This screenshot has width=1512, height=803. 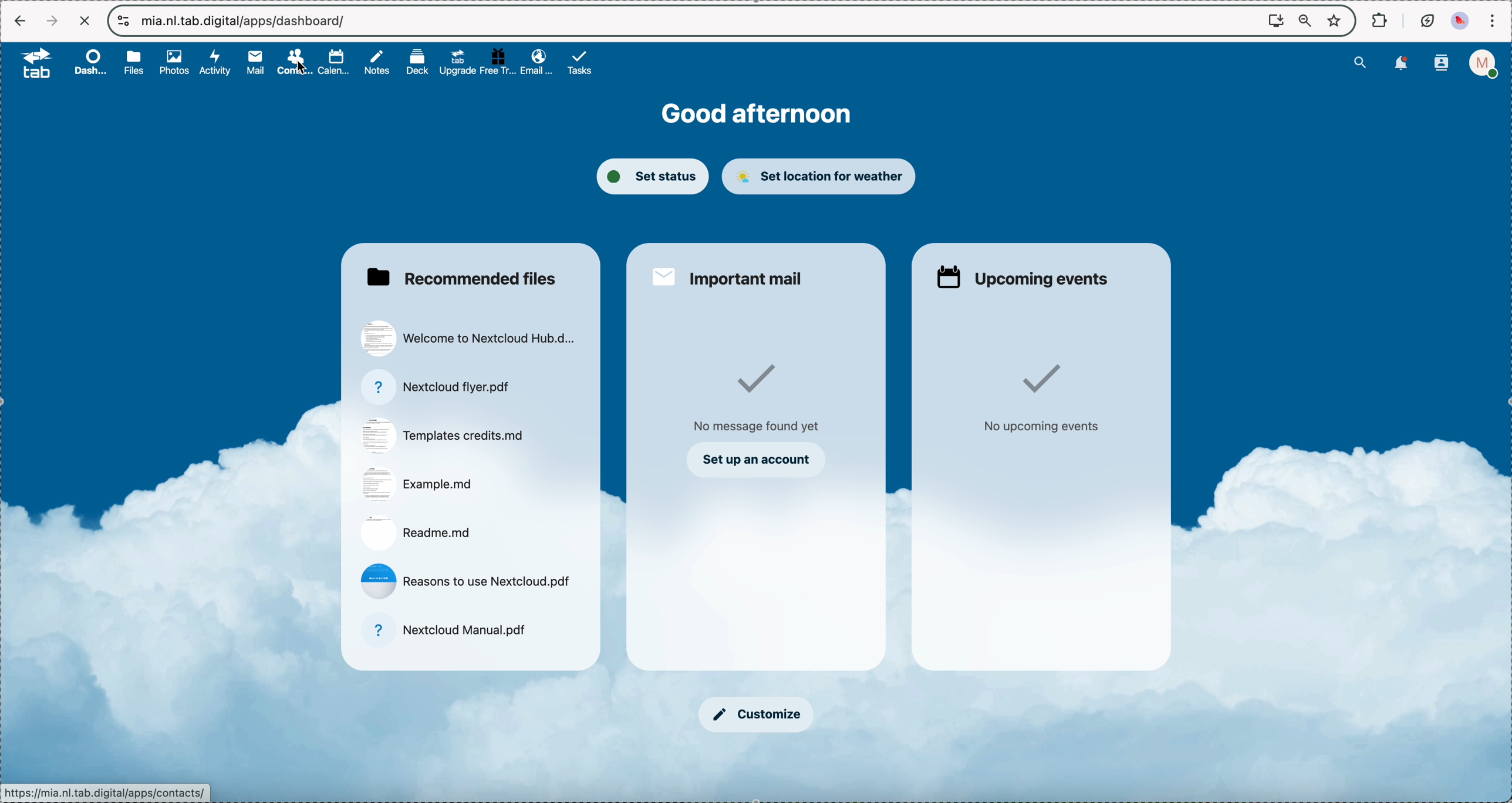 I want to click on file, so click(x=445, y=436).